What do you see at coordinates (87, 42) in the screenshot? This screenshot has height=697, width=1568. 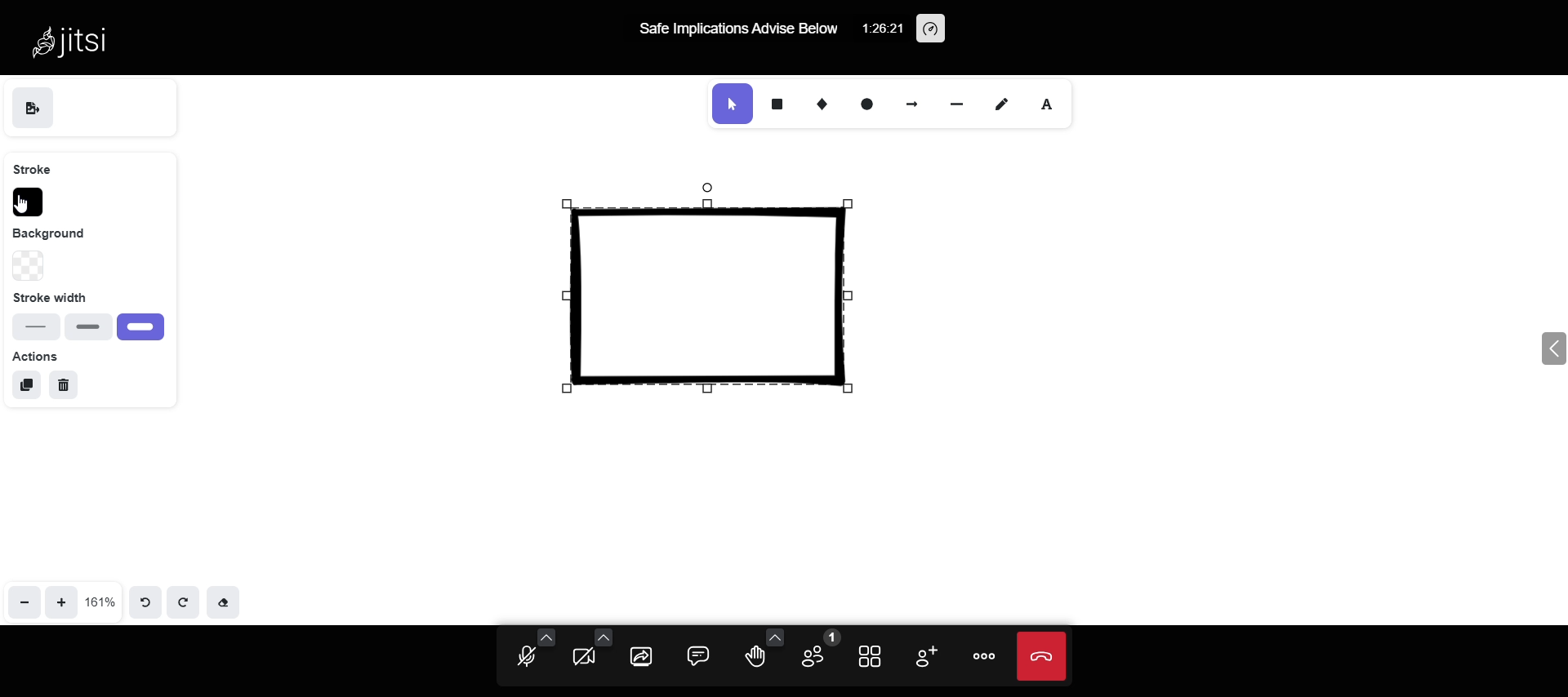 I see `Jitsi` at bounding box center [87, 42].